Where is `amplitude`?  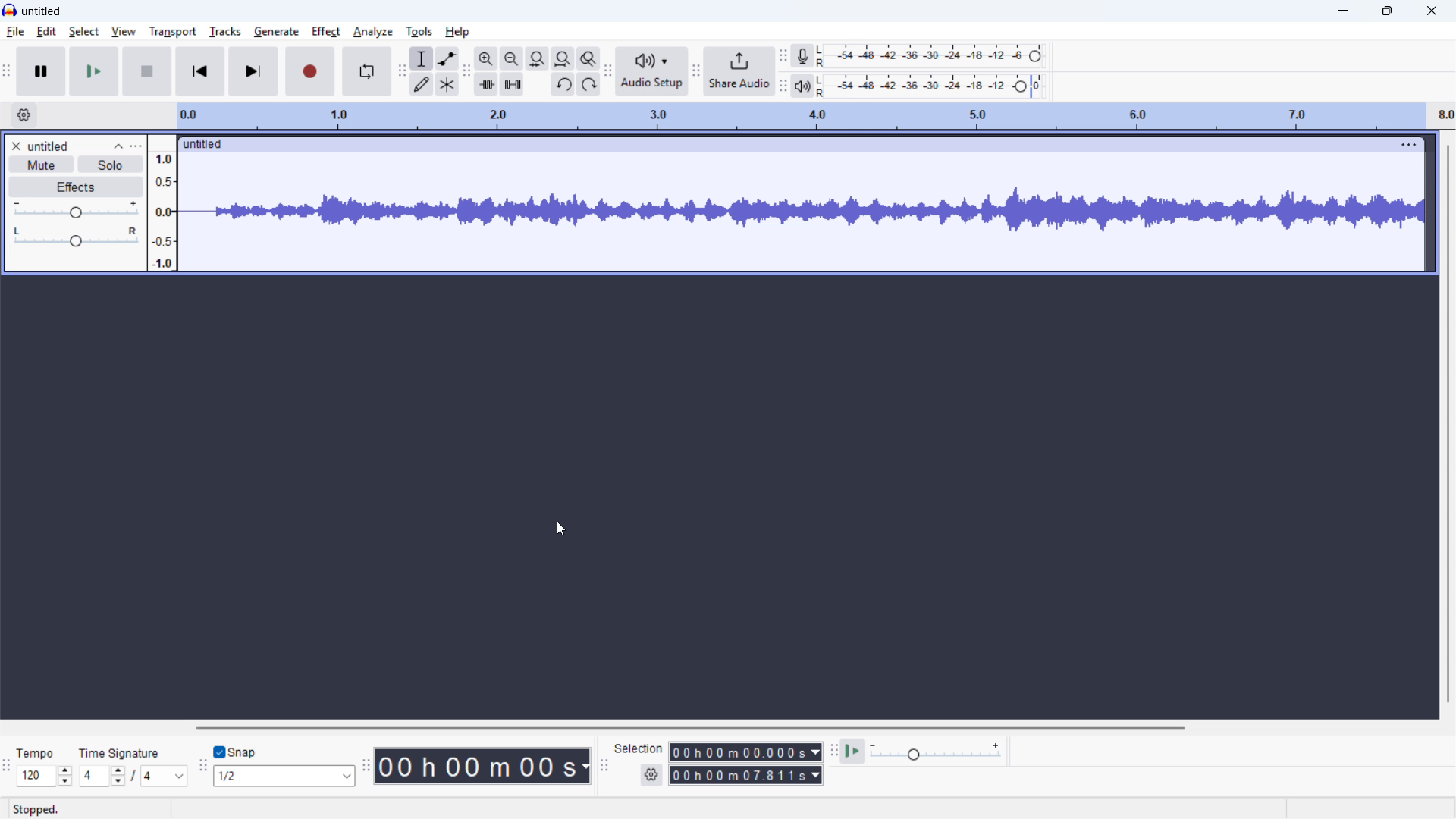 amplitude is located at coordinates (162, 203).